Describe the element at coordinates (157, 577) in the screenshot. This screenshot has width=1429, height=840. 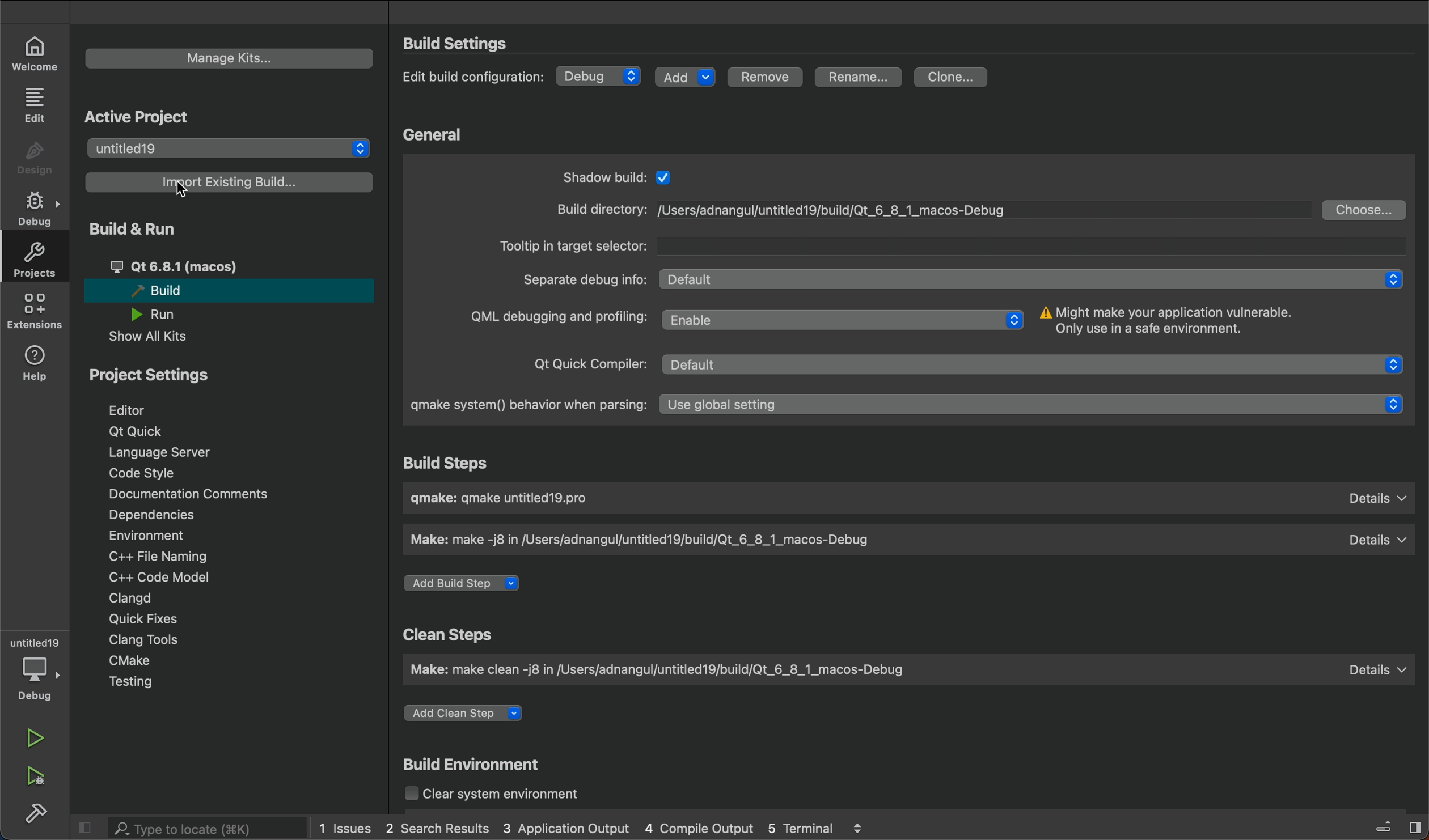
I see `c++ code model` at that location.